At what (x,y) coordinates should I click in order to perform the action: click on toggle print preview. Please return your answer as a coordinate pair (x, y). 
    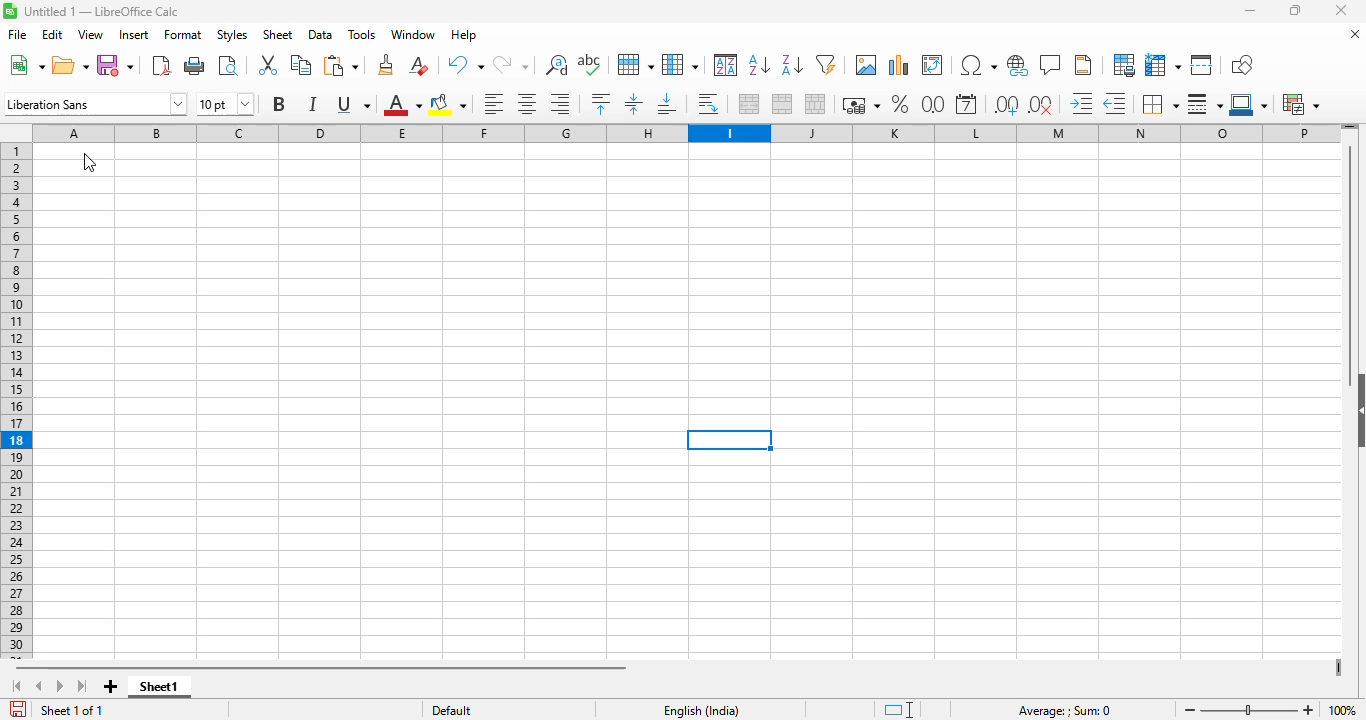
    Looking at the image, I should click on (228, 65).